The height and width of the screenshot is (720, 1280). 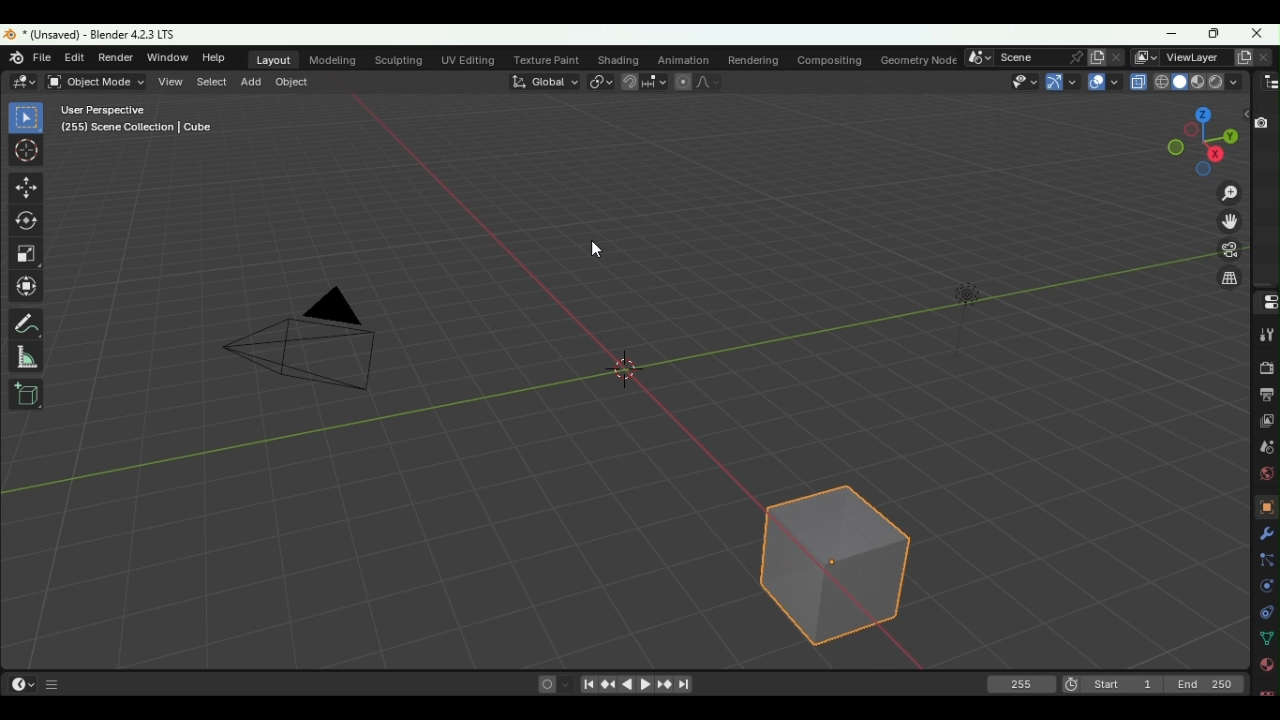 What do you see at coordinates (1240, 57) in the screenshot?
I see `Add view layer` at bounding box center [1240, 57].